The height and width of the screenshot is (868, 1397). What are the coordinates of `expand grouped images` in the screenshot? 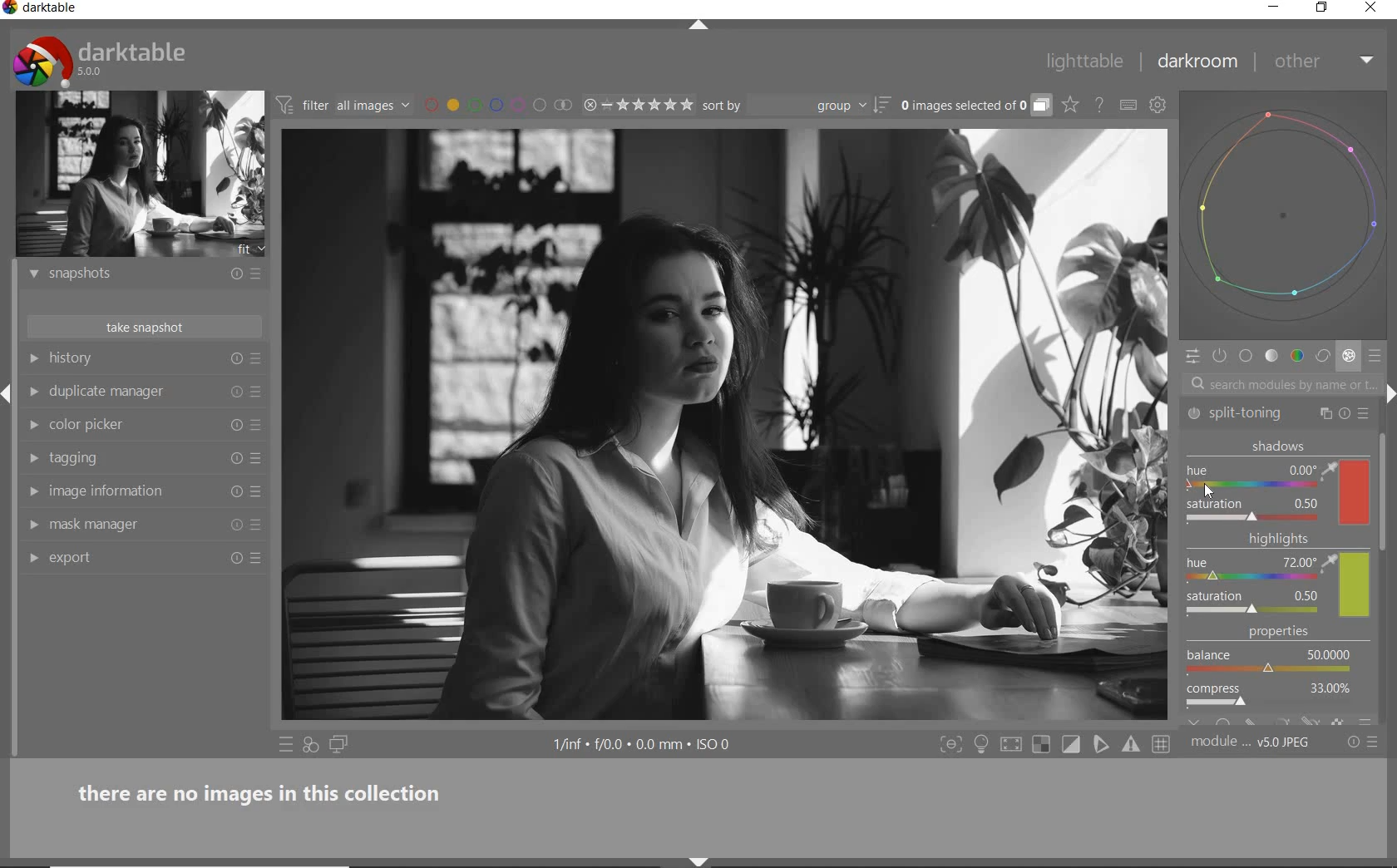 It's located at (975, 106).